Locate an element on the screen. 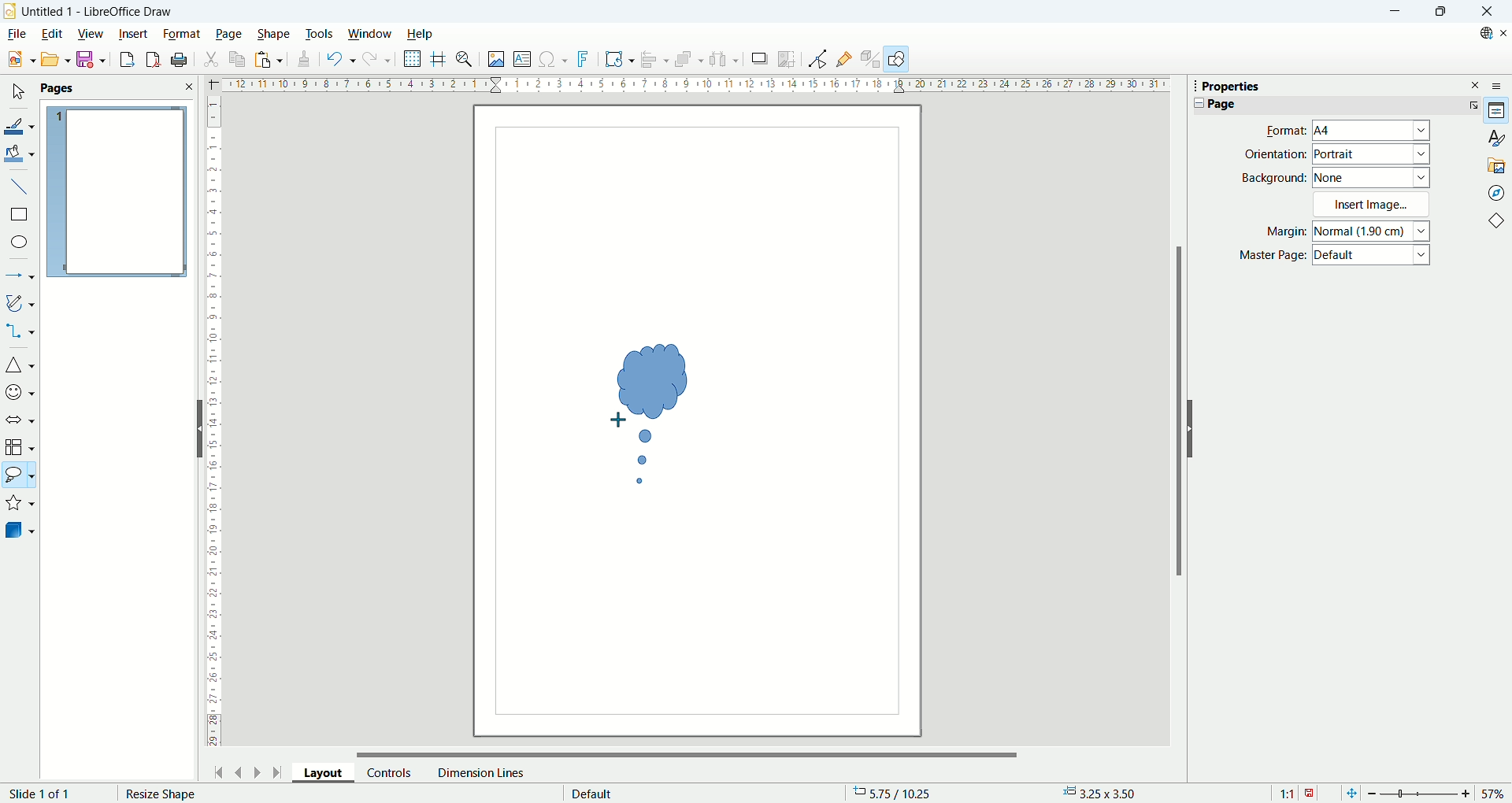  undo is located at coordinates (338, 59).